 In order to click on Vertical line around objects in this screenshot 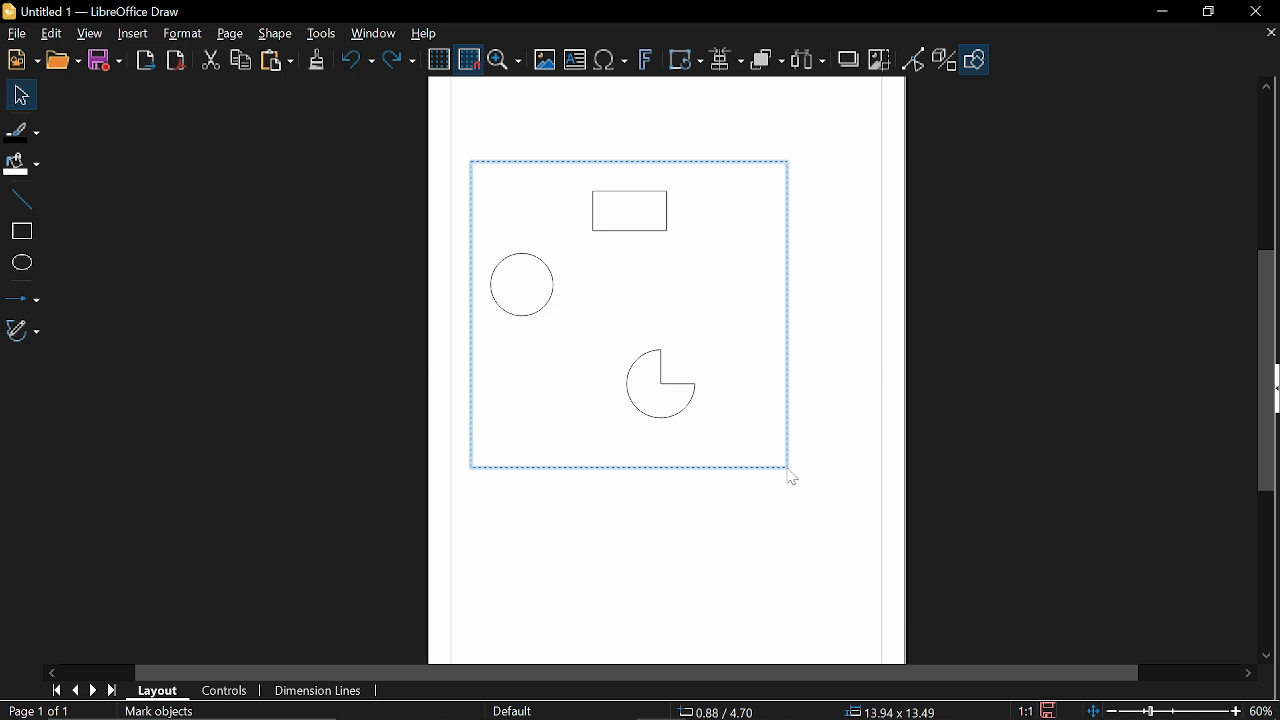, I will do `click(793, 315)`.